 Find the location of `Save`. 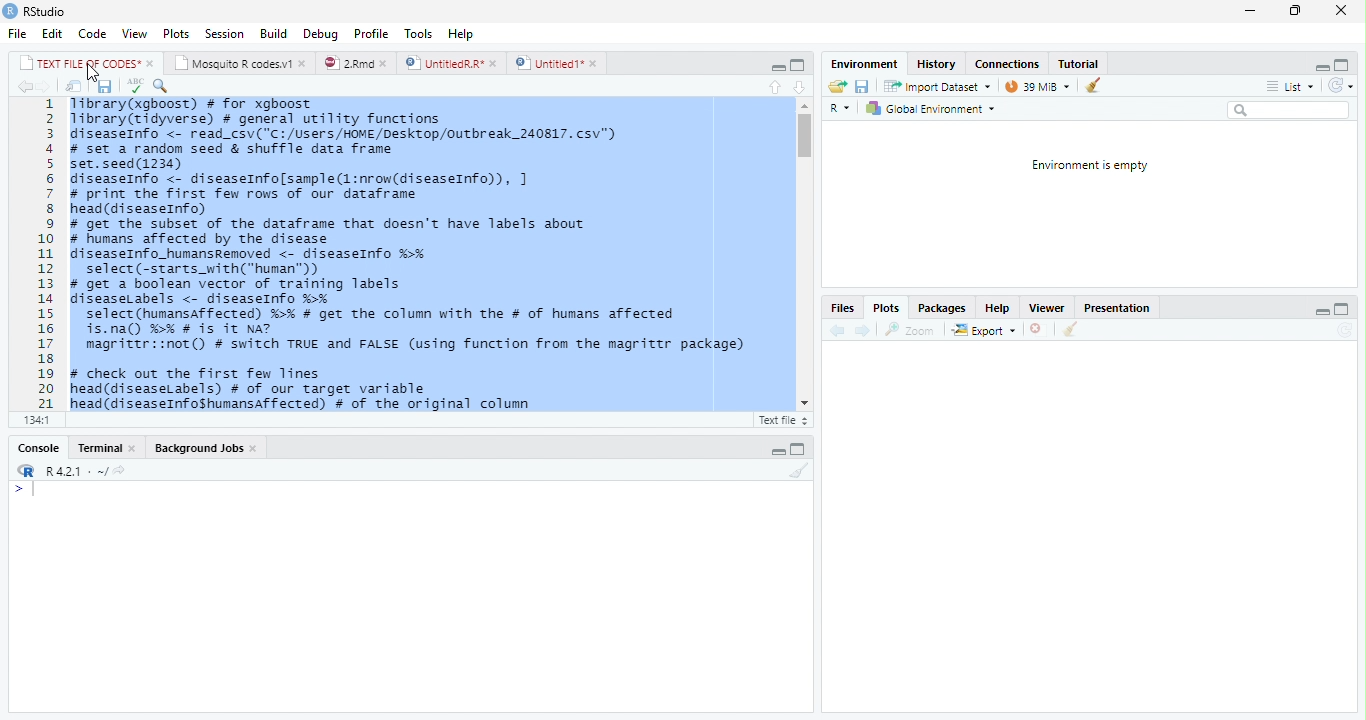

Save is located at coordinates (101, 85).